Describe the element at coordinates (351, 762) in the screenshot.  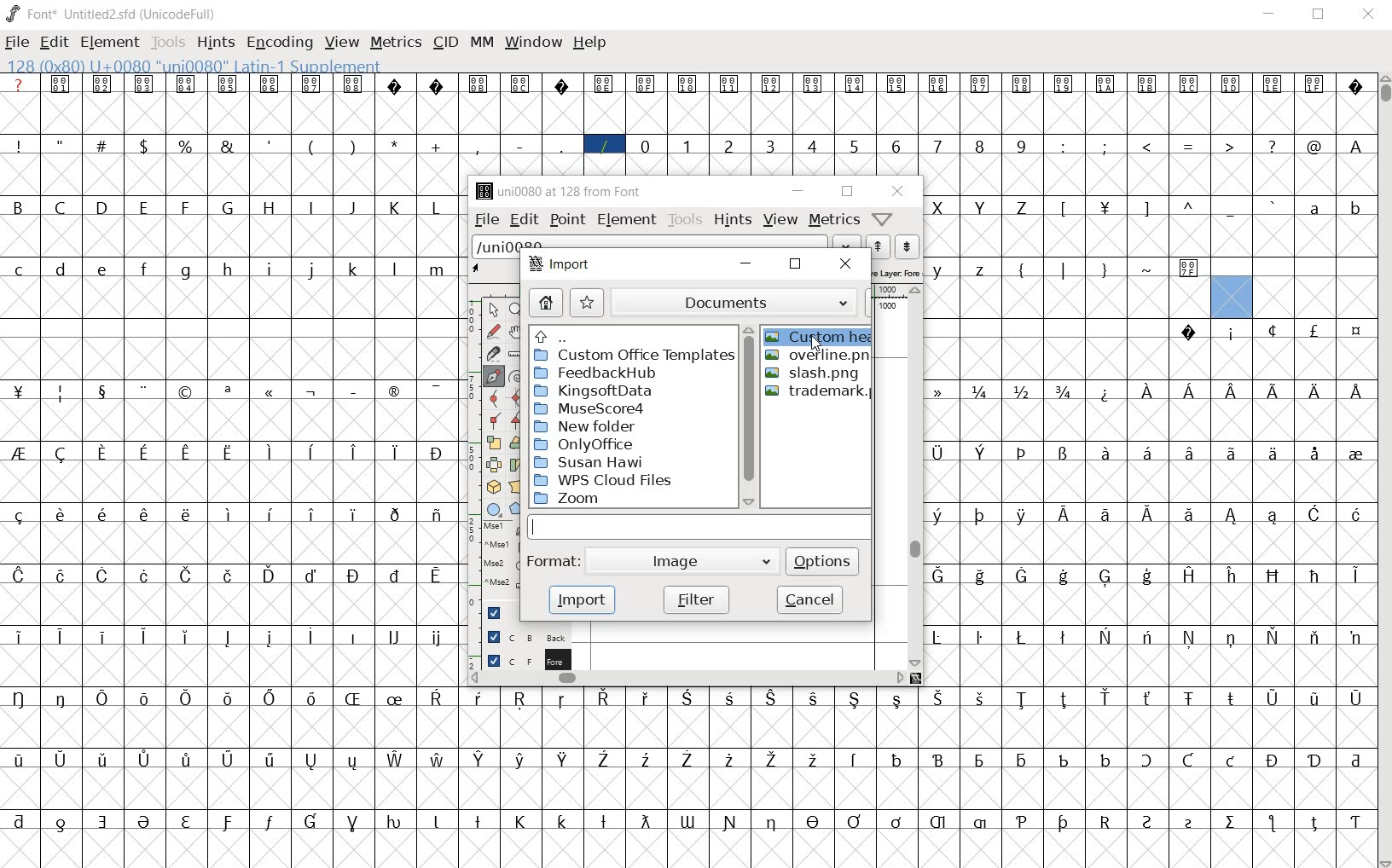
I see `glyph` at that location.